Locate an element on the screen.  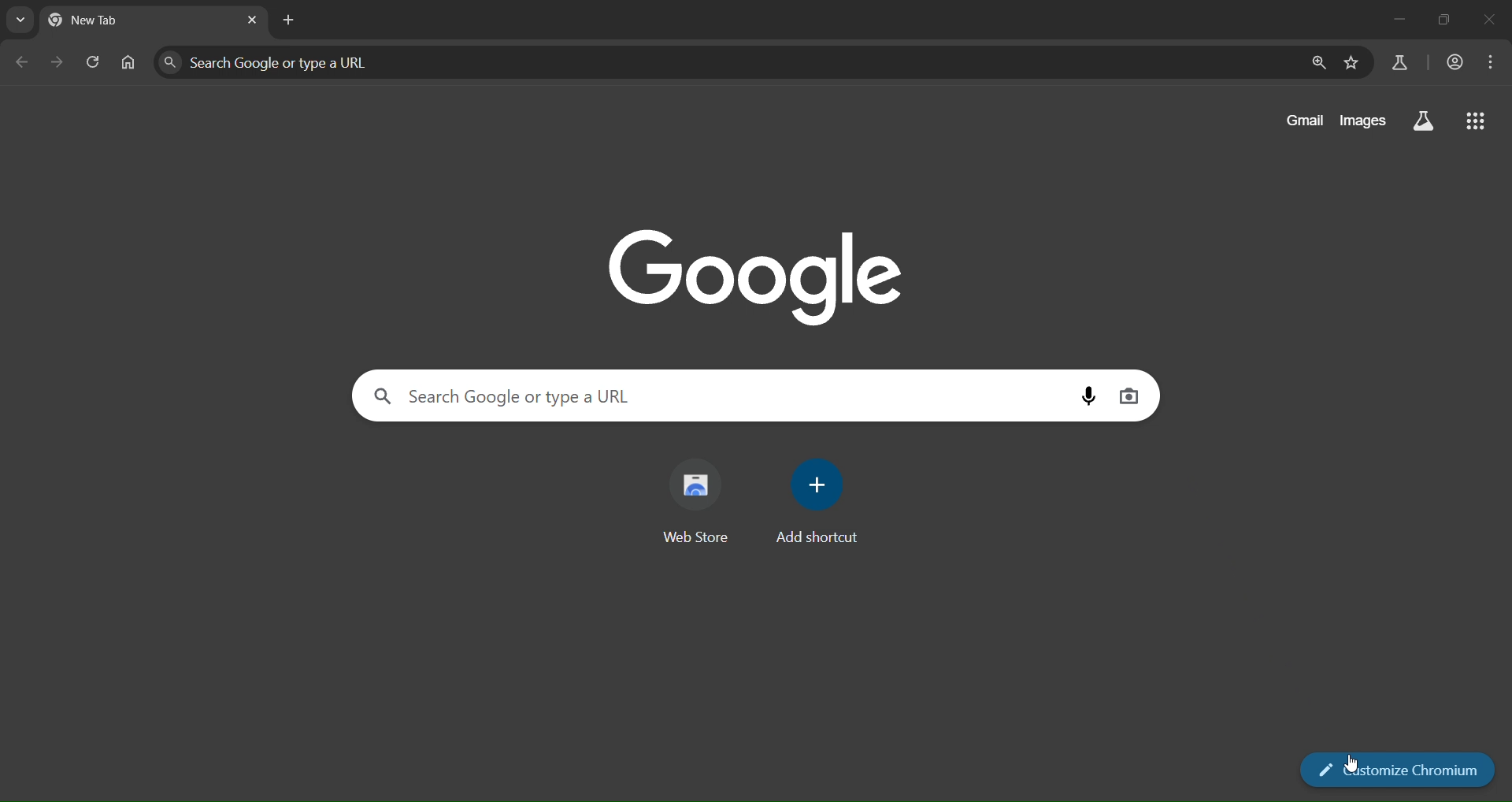
image search is located at coordinates (1132, 395).